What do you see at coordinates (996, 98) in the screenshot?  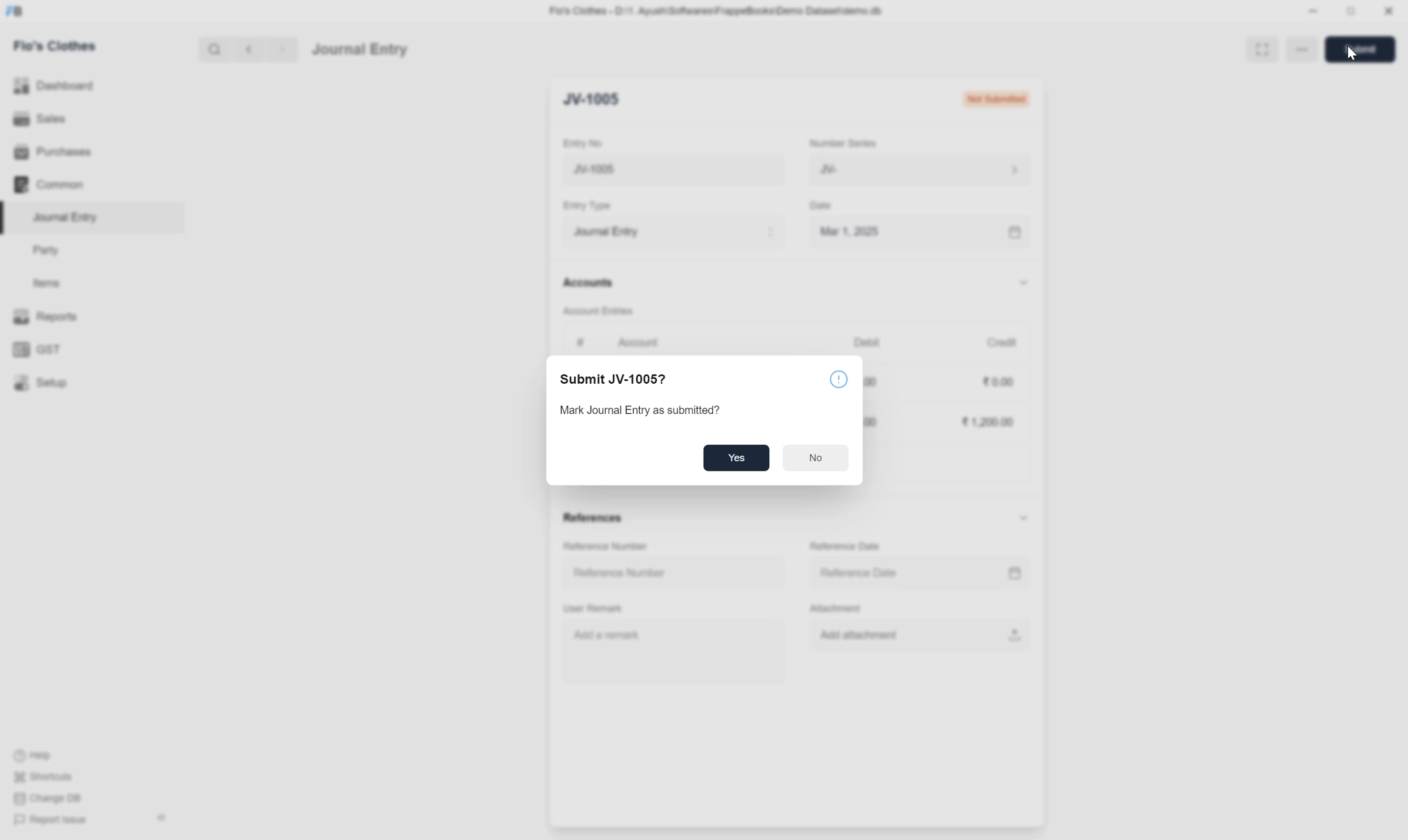 I see `not submitted` at bounding box center [996, 98].